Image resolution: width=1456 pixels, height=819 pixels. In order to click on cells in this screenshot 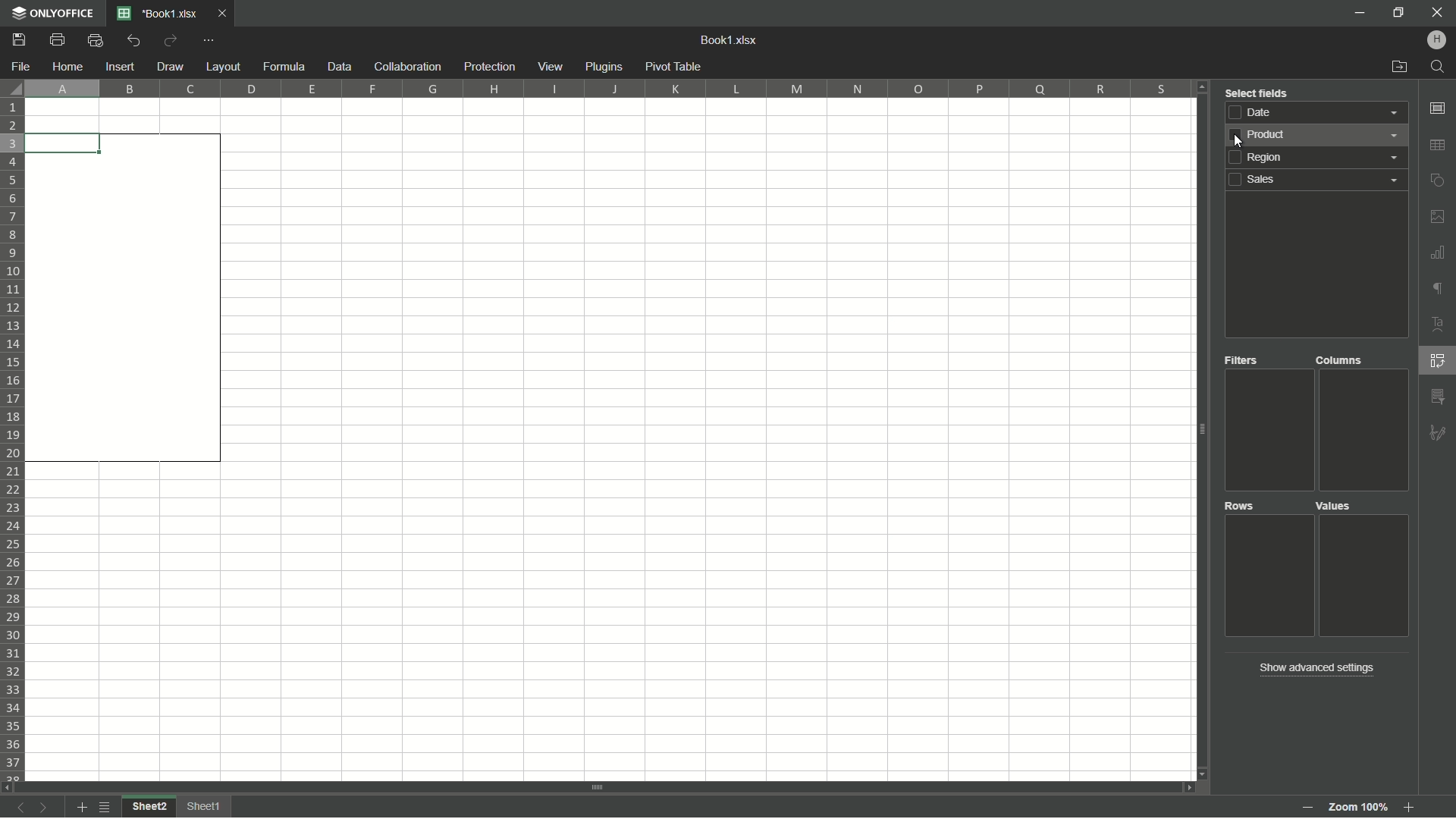, I will do `click(708, 439)`.